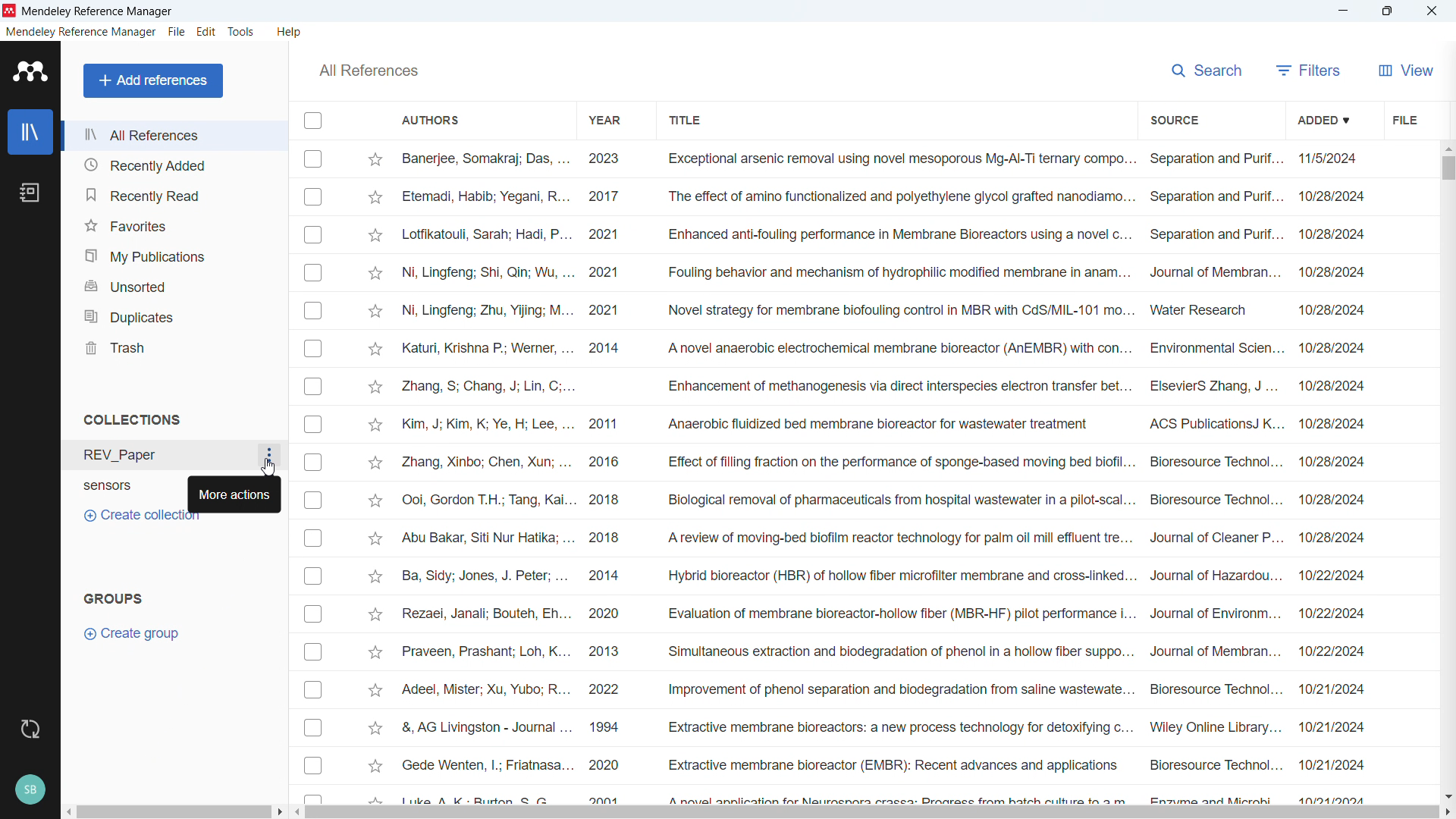 The image size is (1456, 819). Describe the element at coordinates (376, 576) in the screenshot. I see `Star mark respective publication` at that location.